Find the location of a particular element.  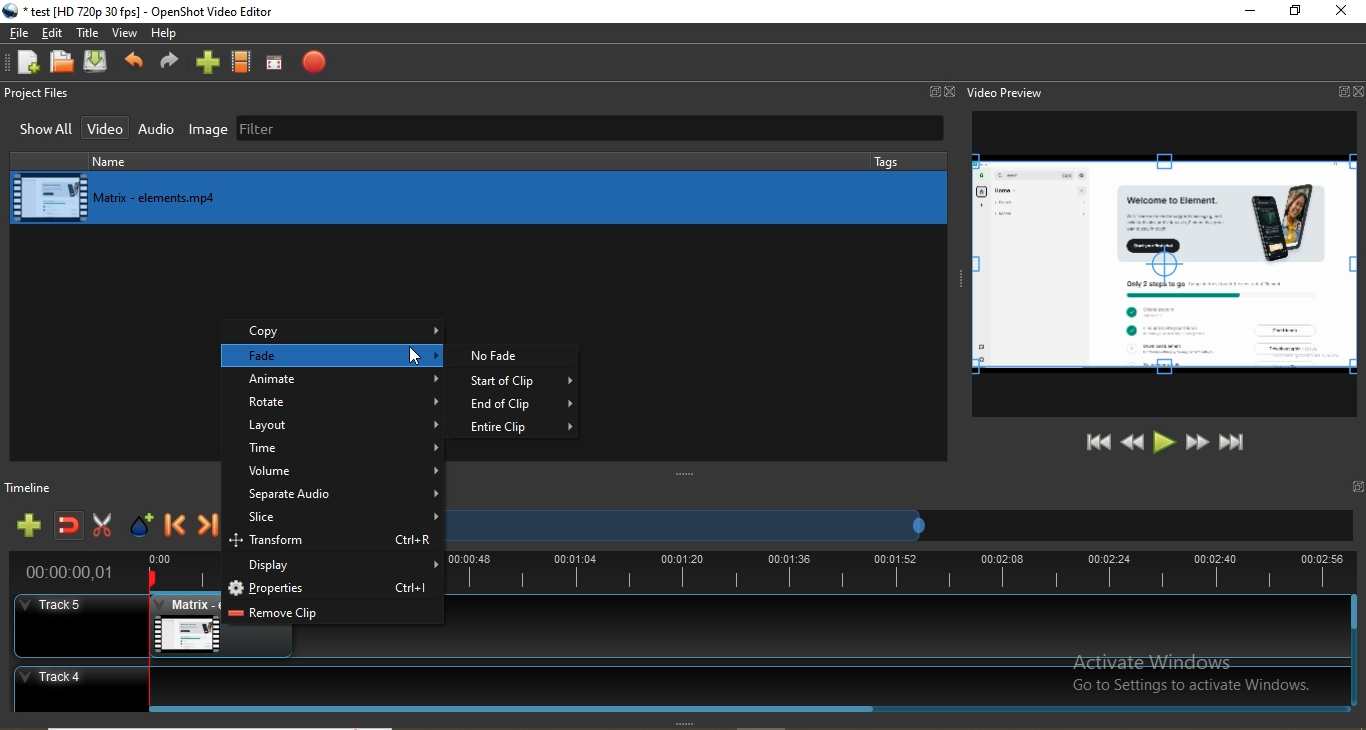

Add marker is located at coordinates (142, 529).